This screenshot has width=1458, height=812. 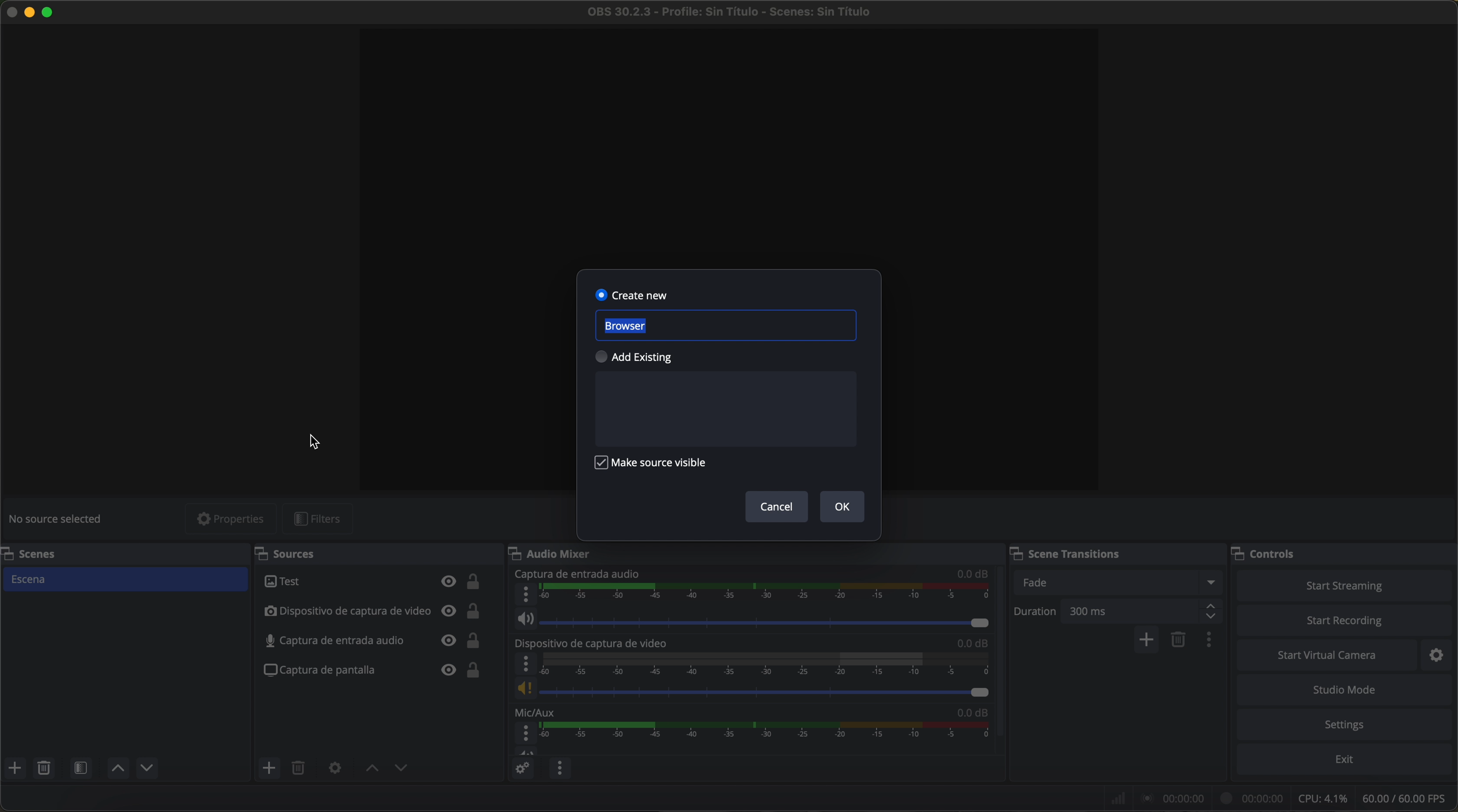 I want to click on audio mixer, so click(x=556, y=555).